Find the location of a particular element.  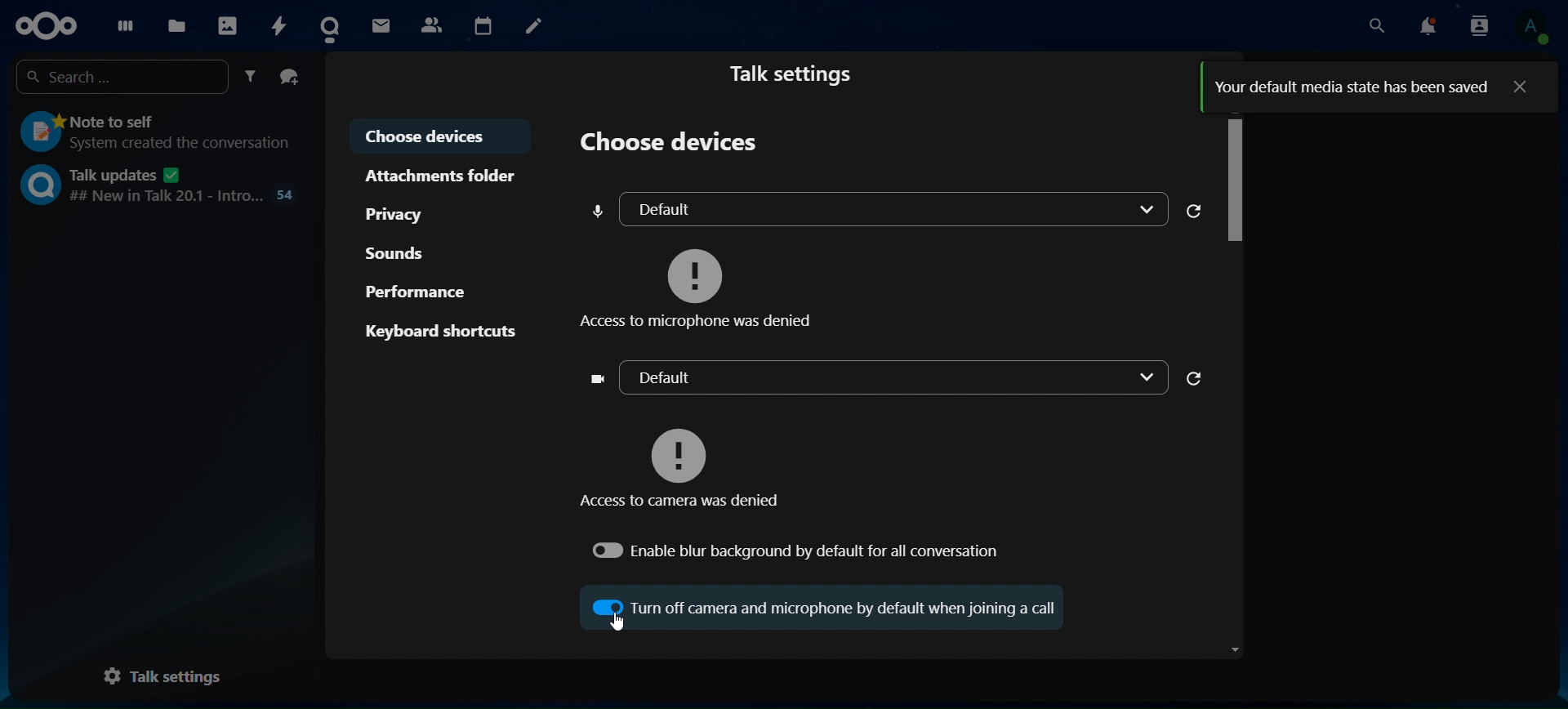

talk is located at coordinates (330, 26).